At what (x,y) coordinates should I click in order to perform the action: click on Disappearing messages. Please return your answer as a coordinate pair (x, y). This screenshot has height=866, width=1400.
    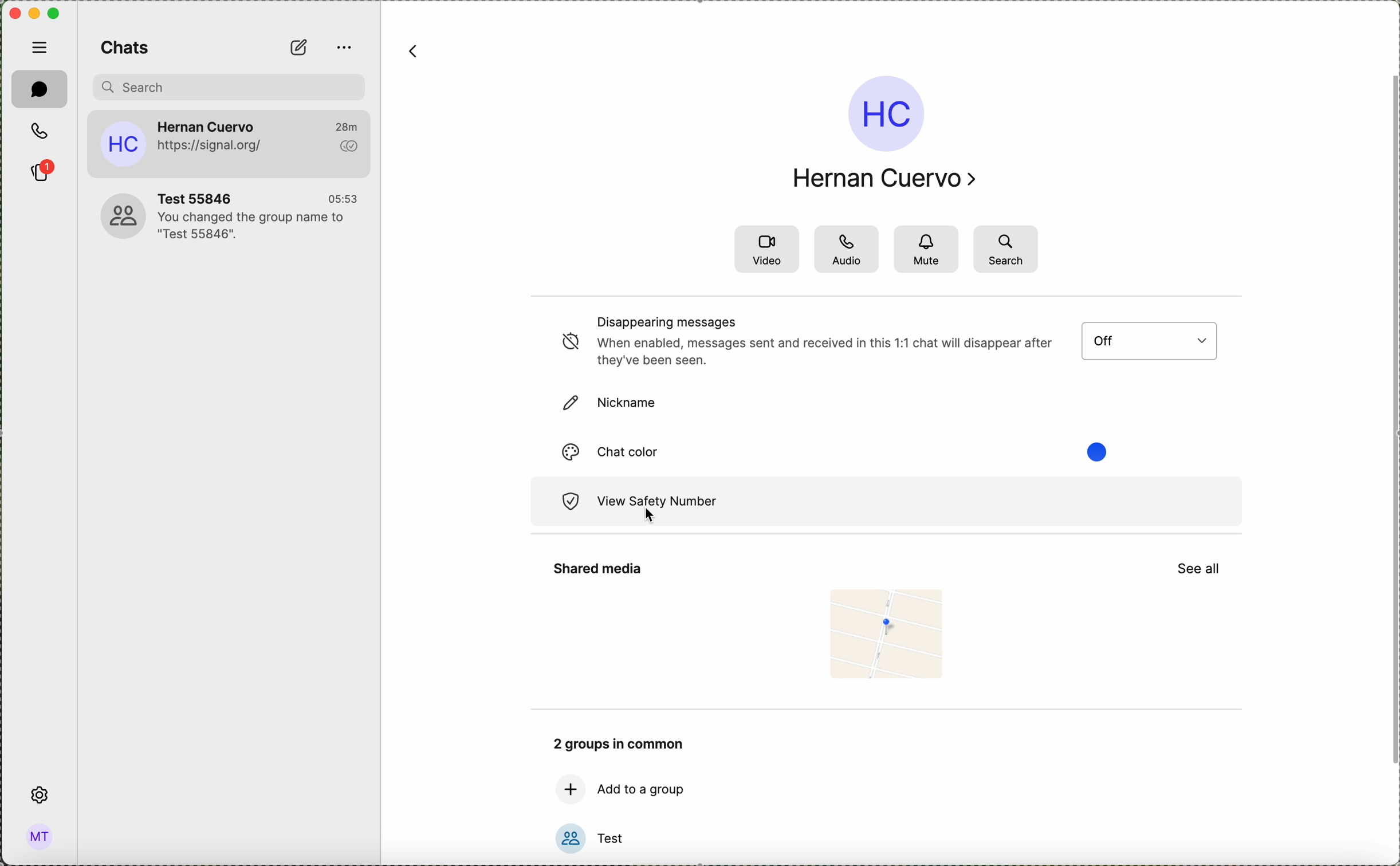
    Looking at the image, I should click on (668, 321).